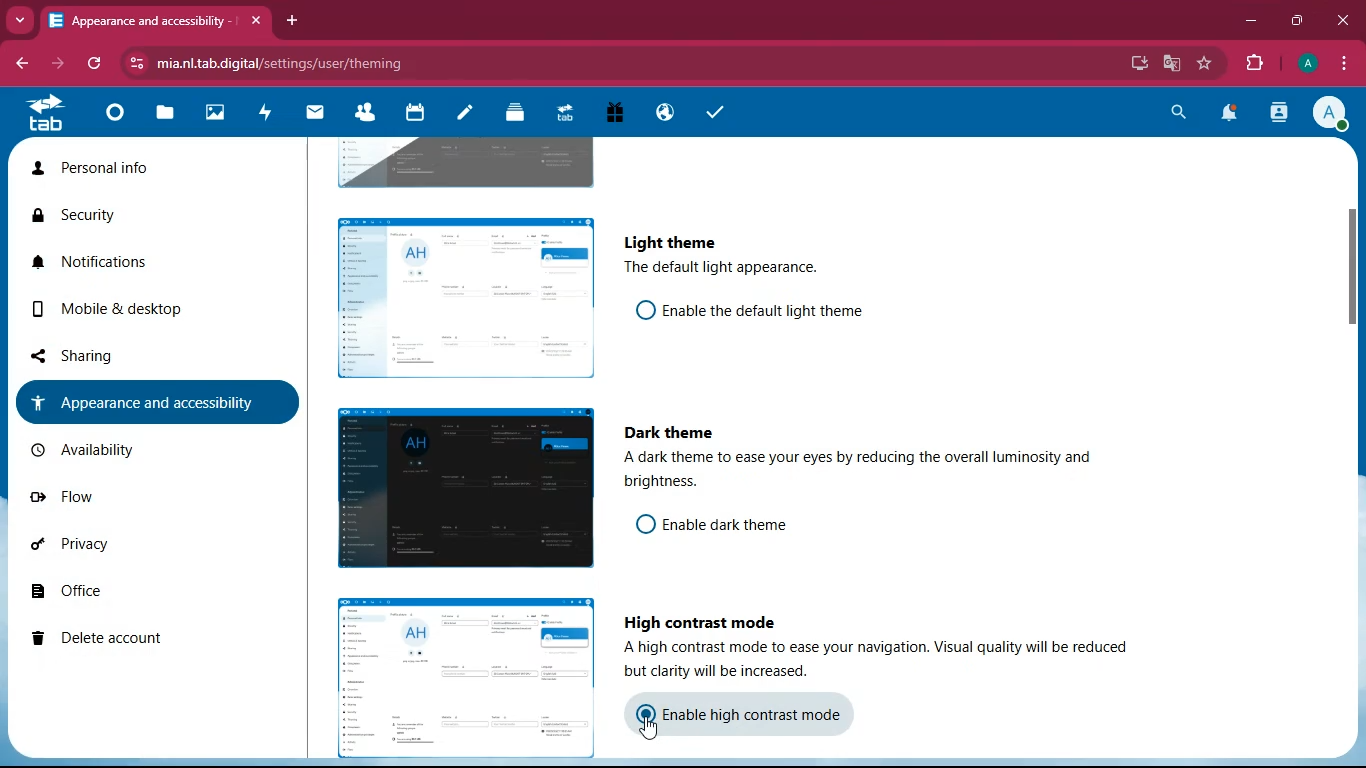 The width and height of the screenshot is (1366, 768). What do you see at coordinates (711, 112) in the screenshot?
I see `task` at bounding box center [711, 112].